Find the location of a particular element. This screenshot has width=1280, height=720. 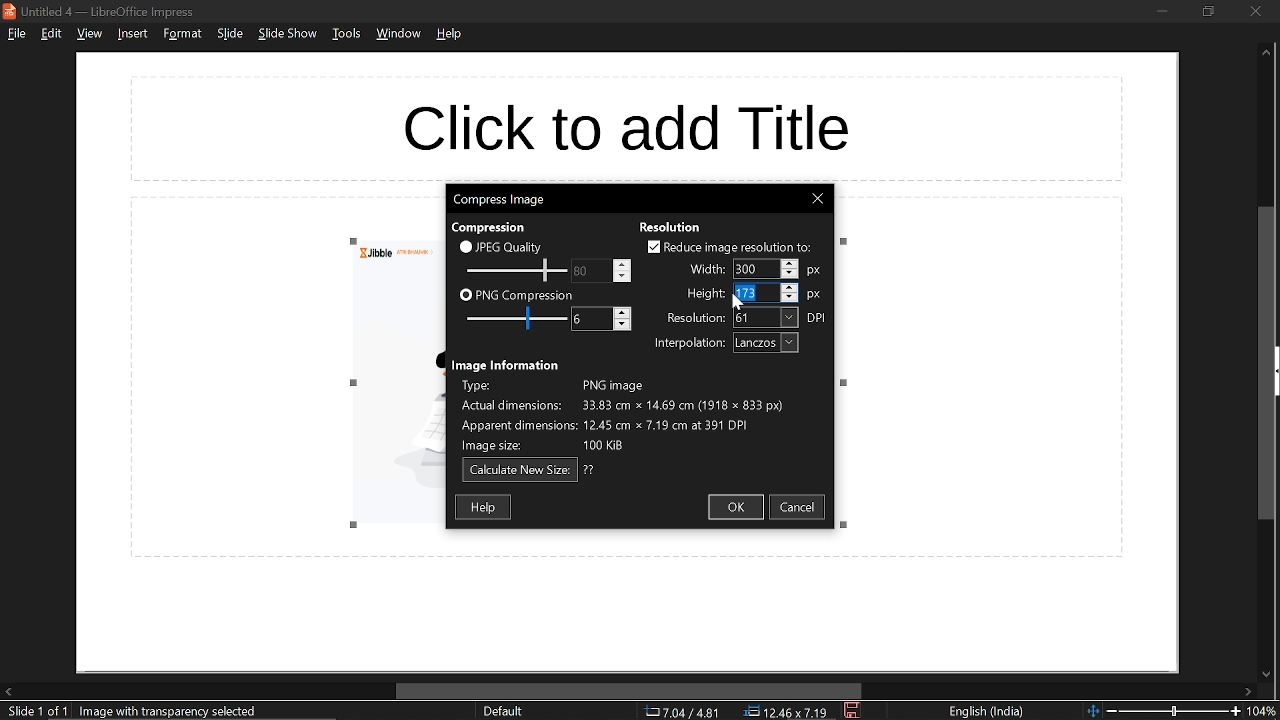

help is located at coordinates (484, 507).